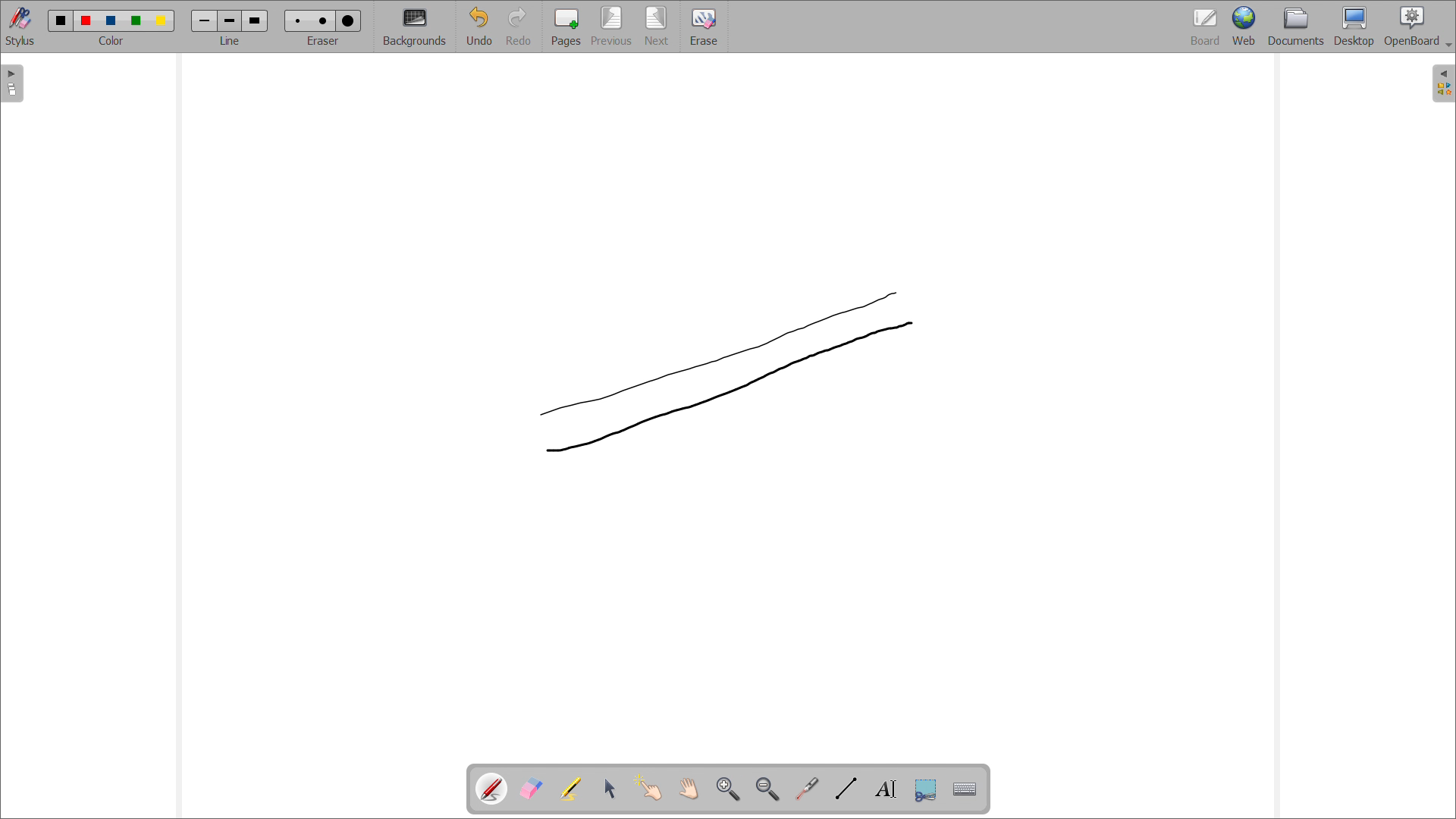 The width and height of the screenshot is (1456, 819). What do you see at coordinates (689, 788) in the screenshot?
I see `scroll page` at bounding box center [689, 788].